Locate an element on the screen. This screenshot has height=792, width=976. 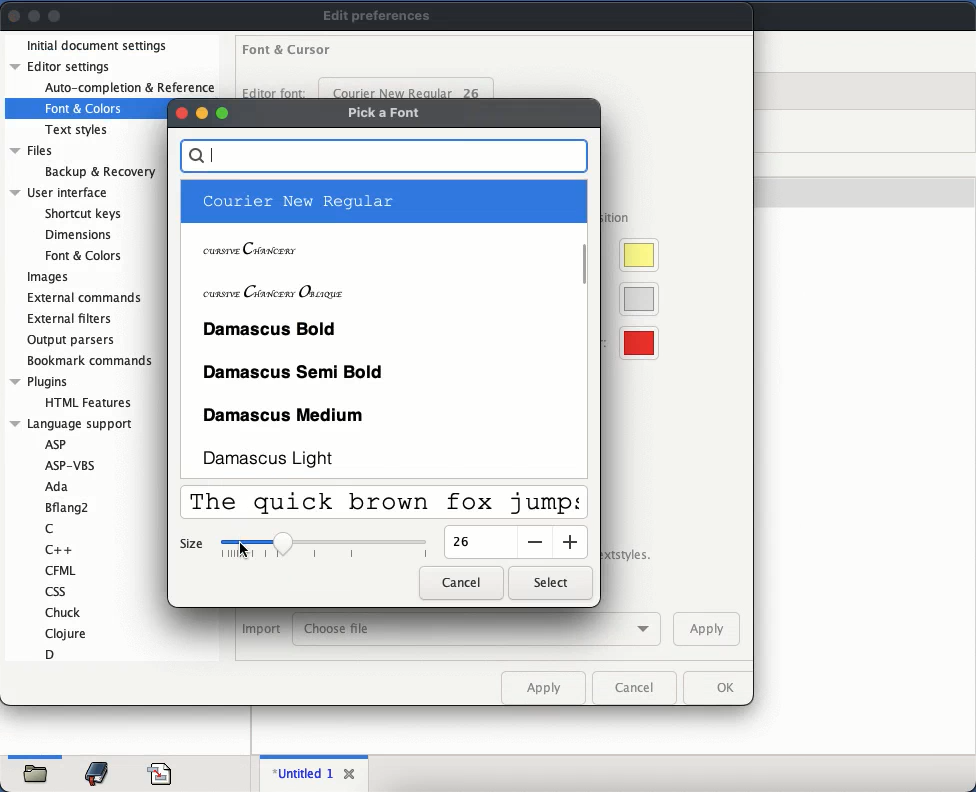
Ada is located at coordinates (60, 487).